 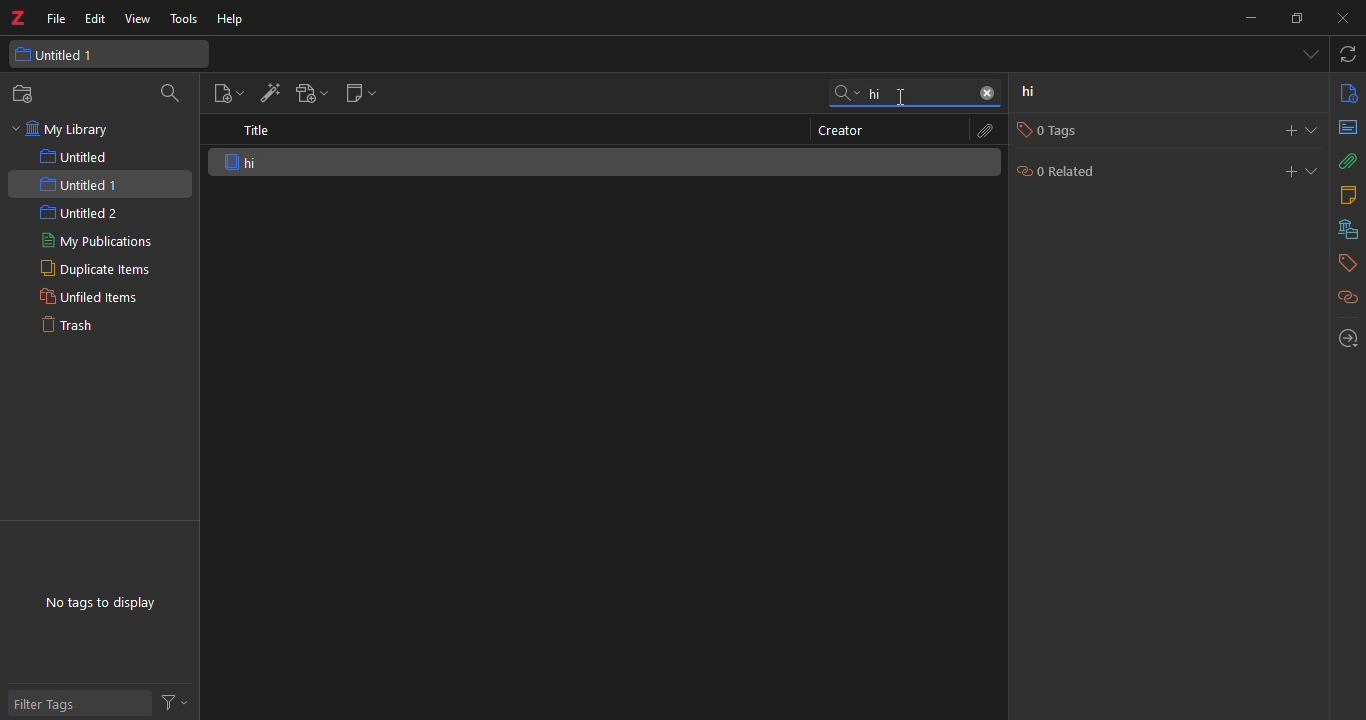 I want to click on my library, so click(x=73, y=130).